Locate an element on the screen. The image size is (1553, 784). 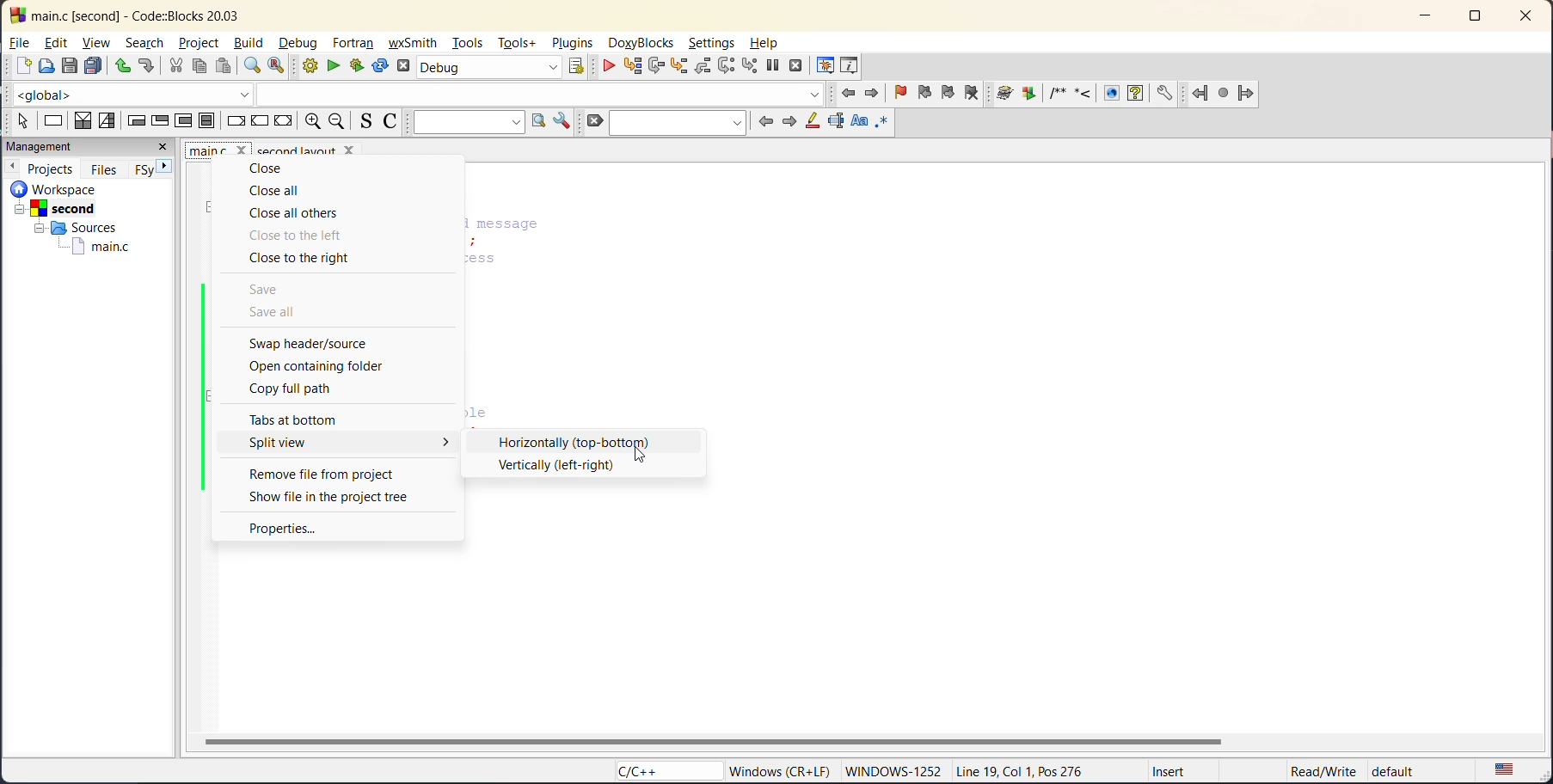
highlight is located at coordinates (812, 123).